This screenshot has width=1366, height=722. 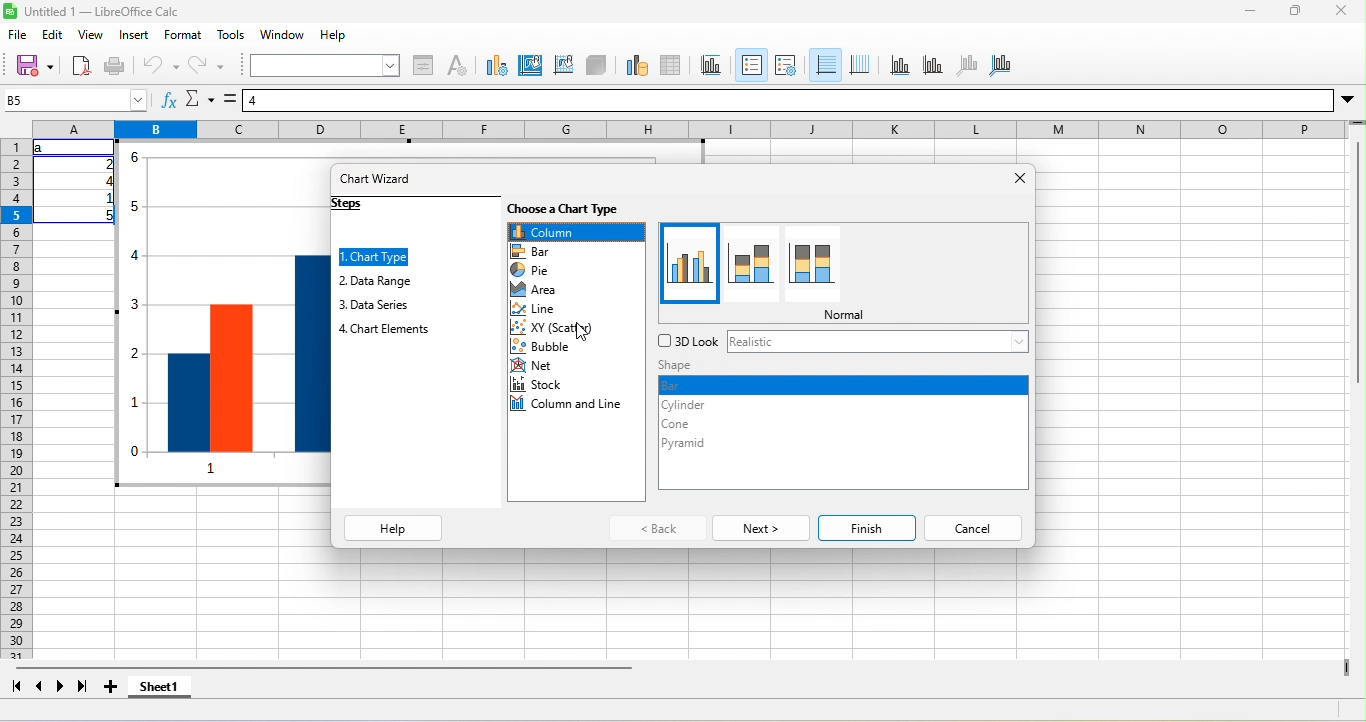 I want to click on cancel, so click(x=973, y=528).